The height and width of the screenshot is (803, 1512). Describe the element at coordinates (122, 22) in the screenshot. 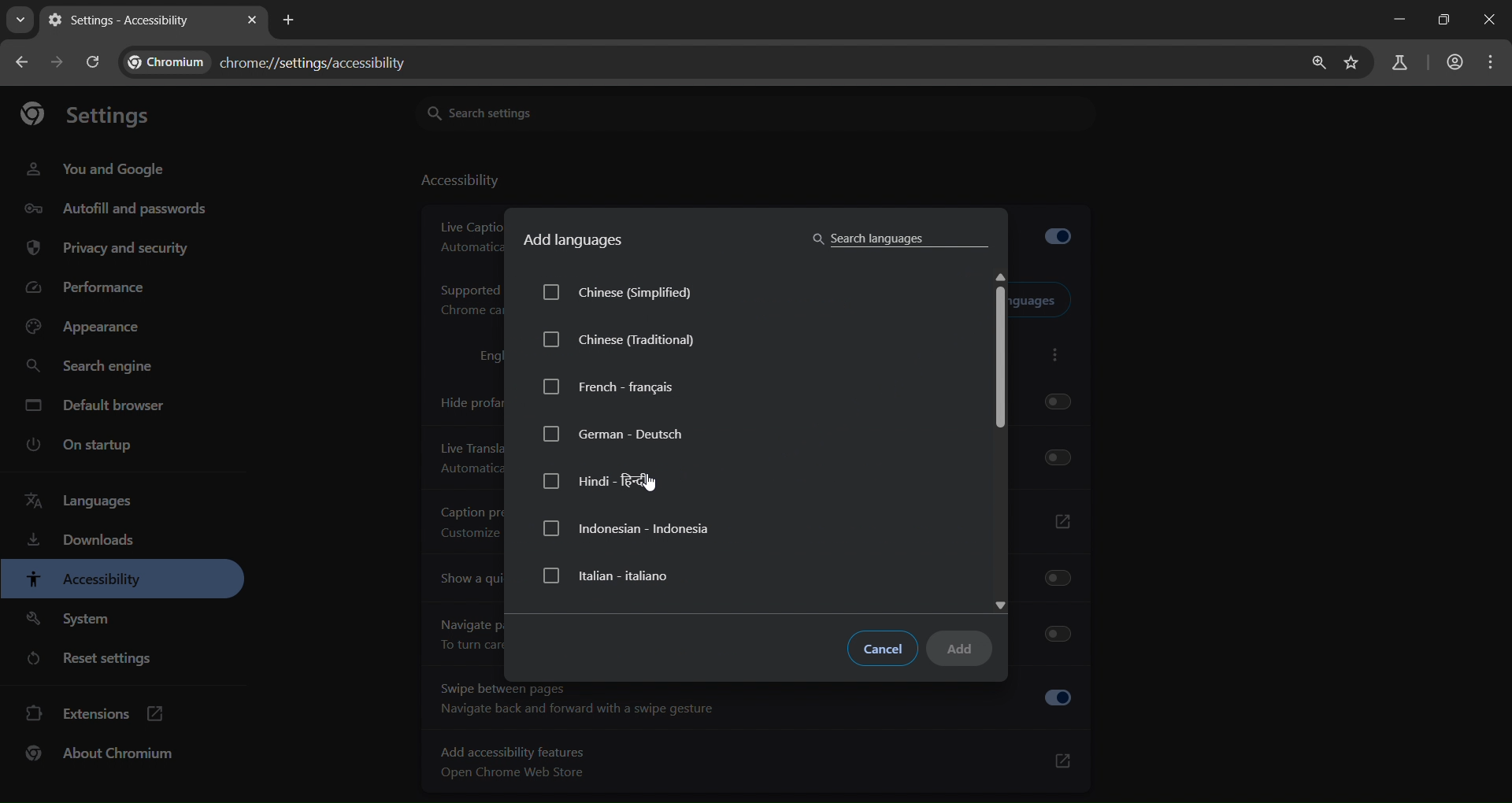

I see `settings - accessibility` at that location.